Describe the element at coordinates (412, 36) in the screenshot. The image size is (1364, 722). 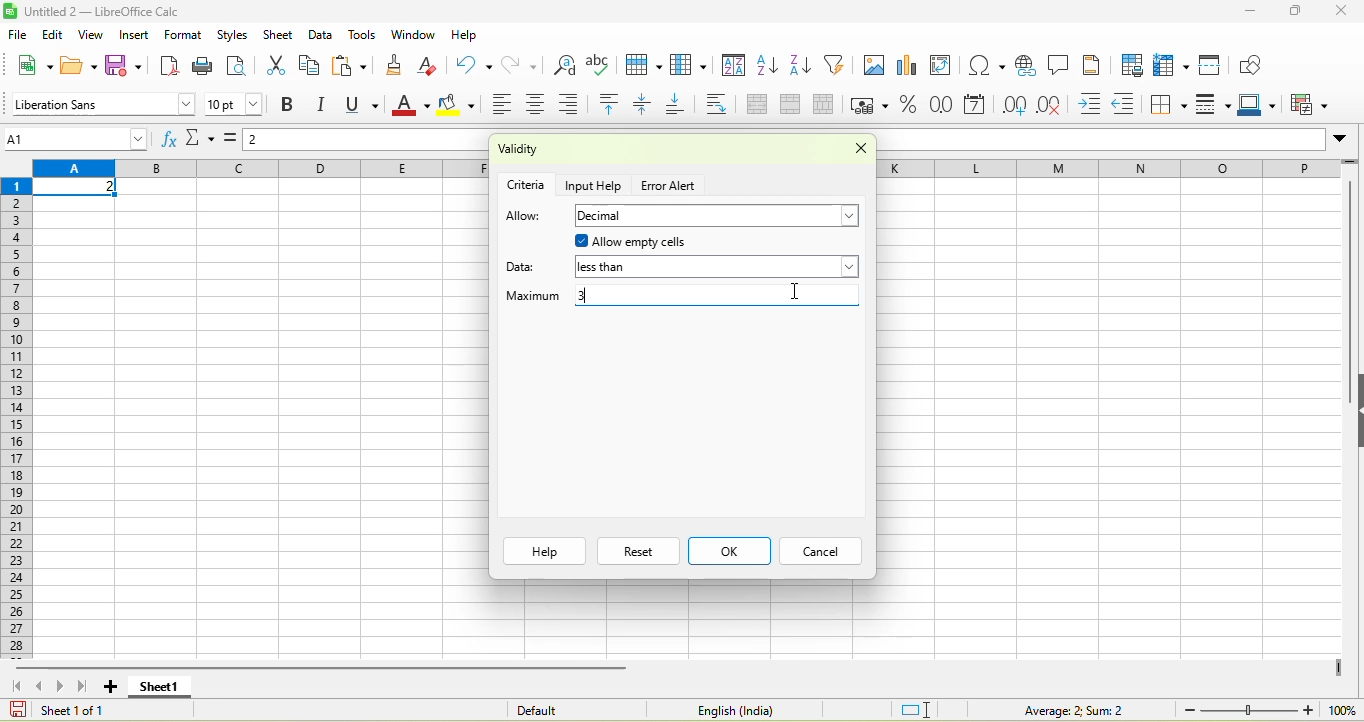
I see `window` at that location.